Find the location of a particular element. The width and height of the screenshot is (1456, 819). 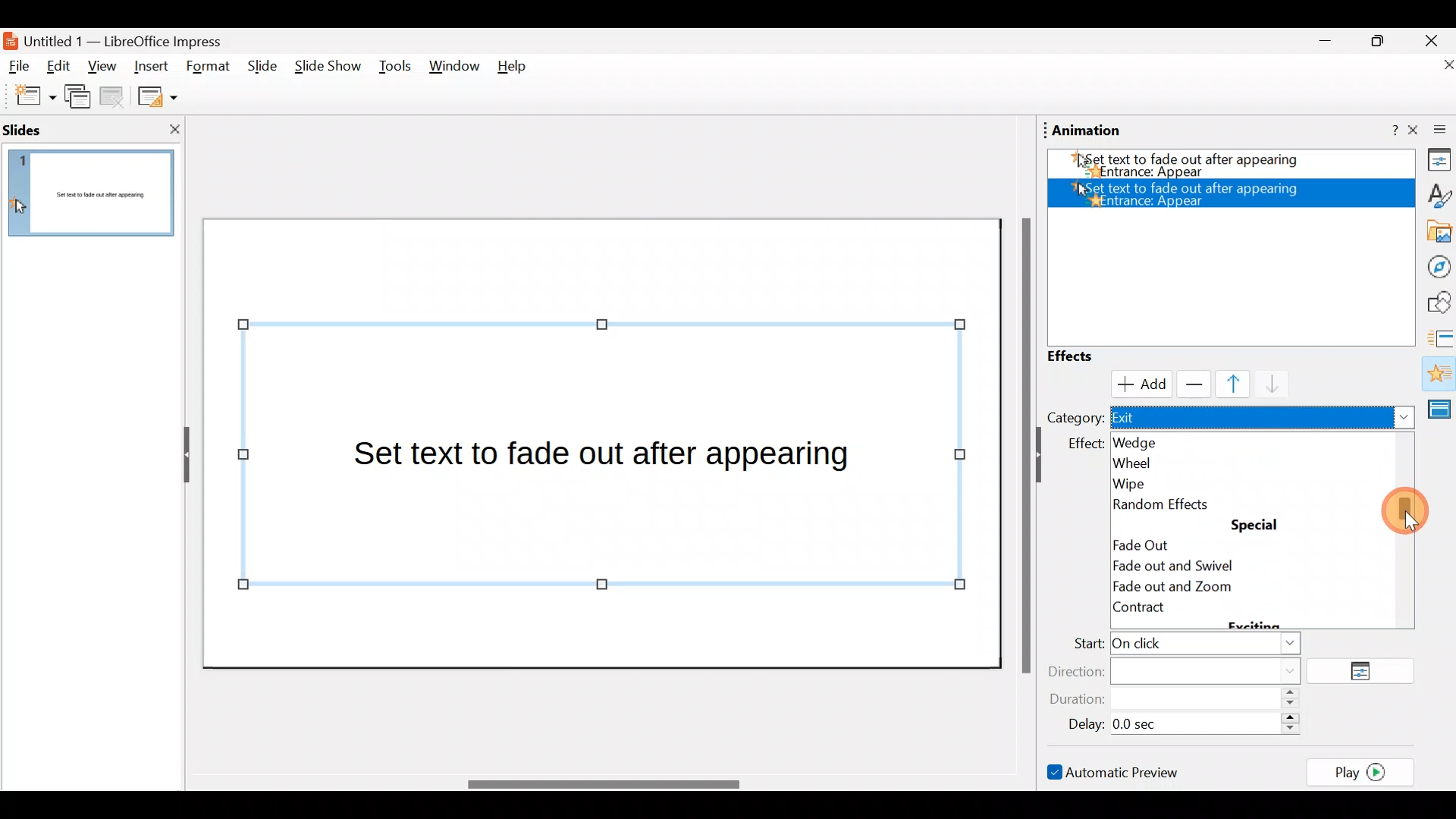

Close sidebar deck is located at coordinates (1433, 130).